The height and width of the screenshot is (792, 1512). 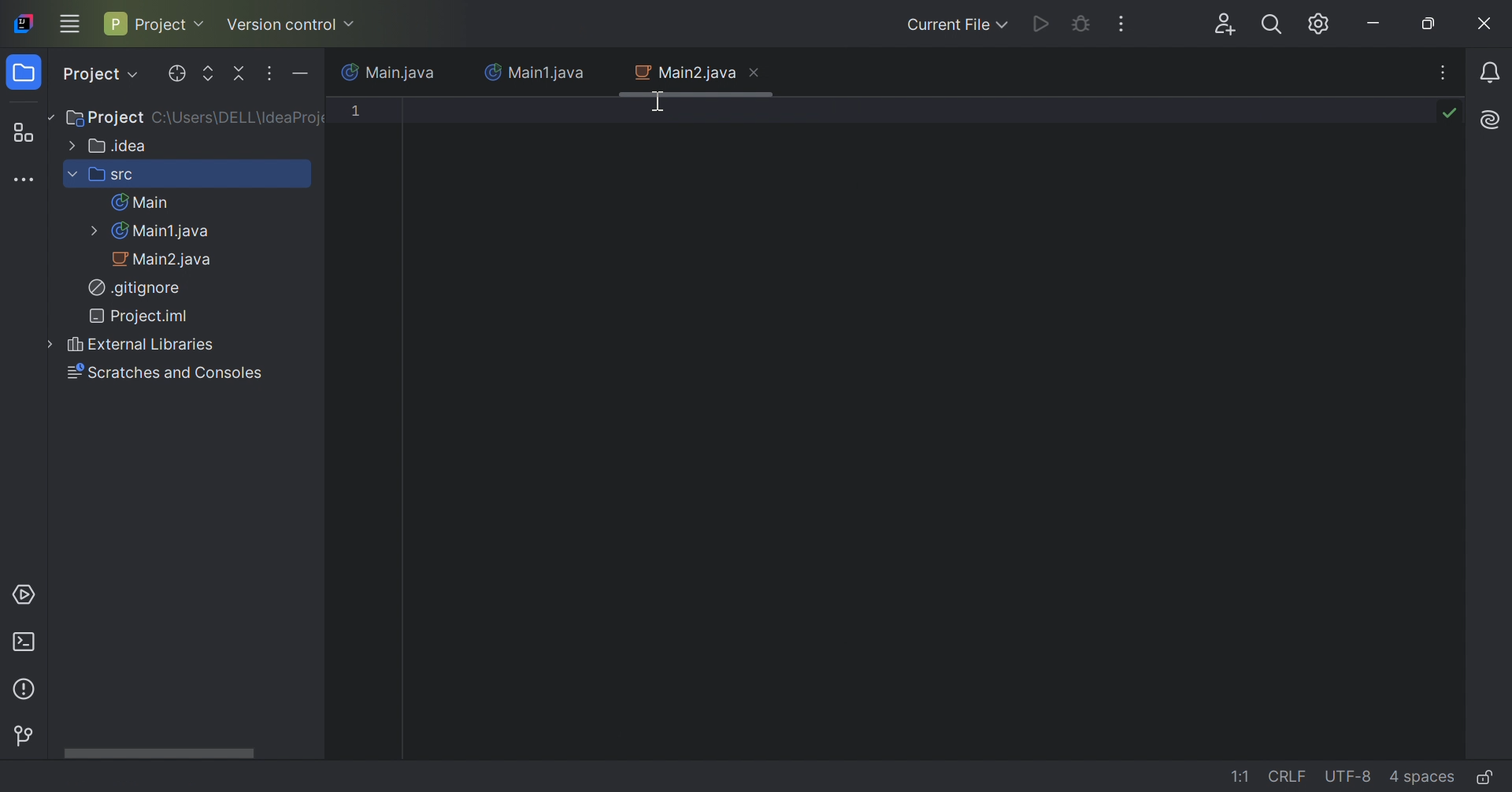 What do you see at coordinates (98, 76) in the screenshot?
I see `Project` at bounding box center [98, 76].